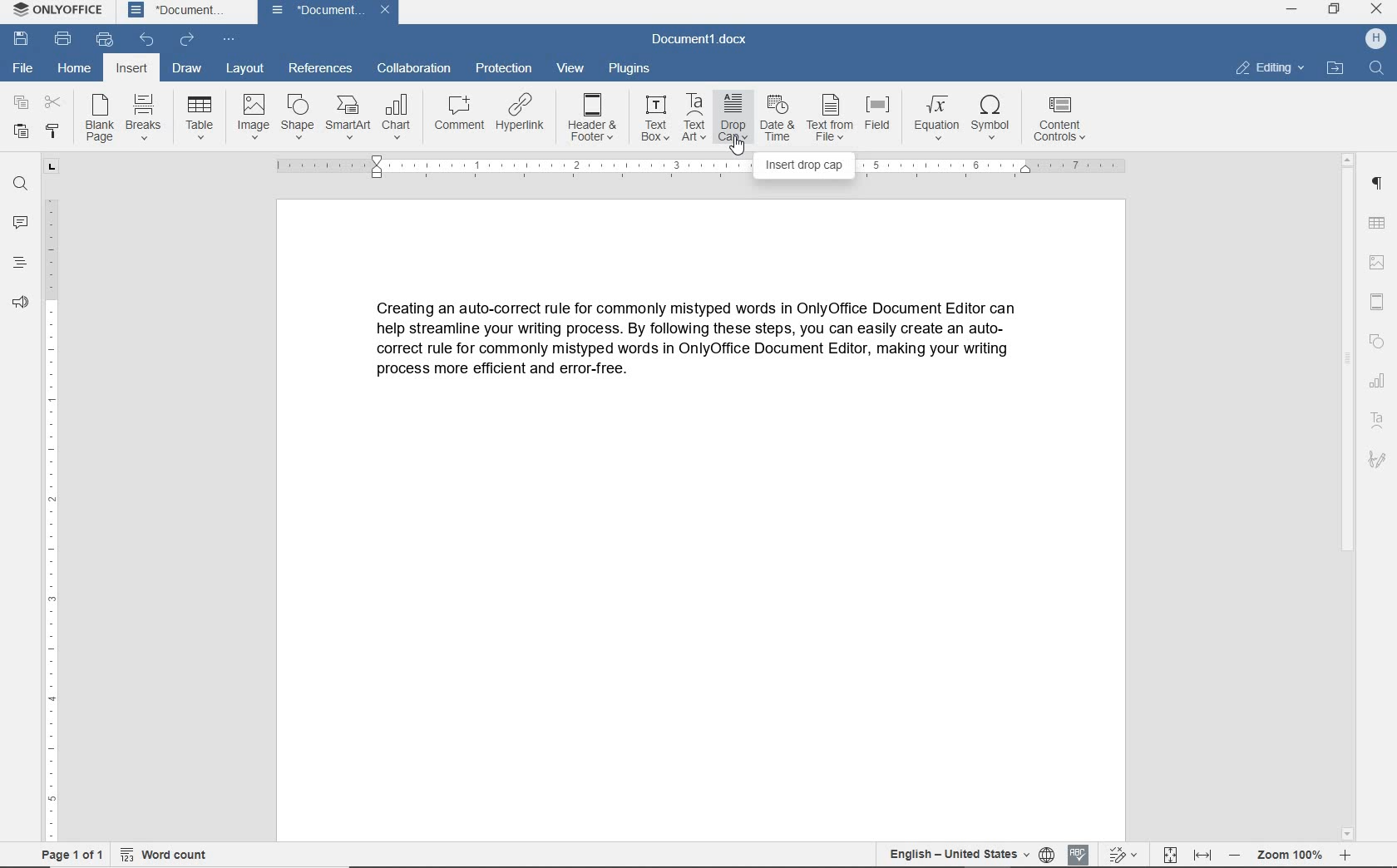  Describe the element at coordinates (1063, 121) in the screenshot. I see `content controls` at that location.